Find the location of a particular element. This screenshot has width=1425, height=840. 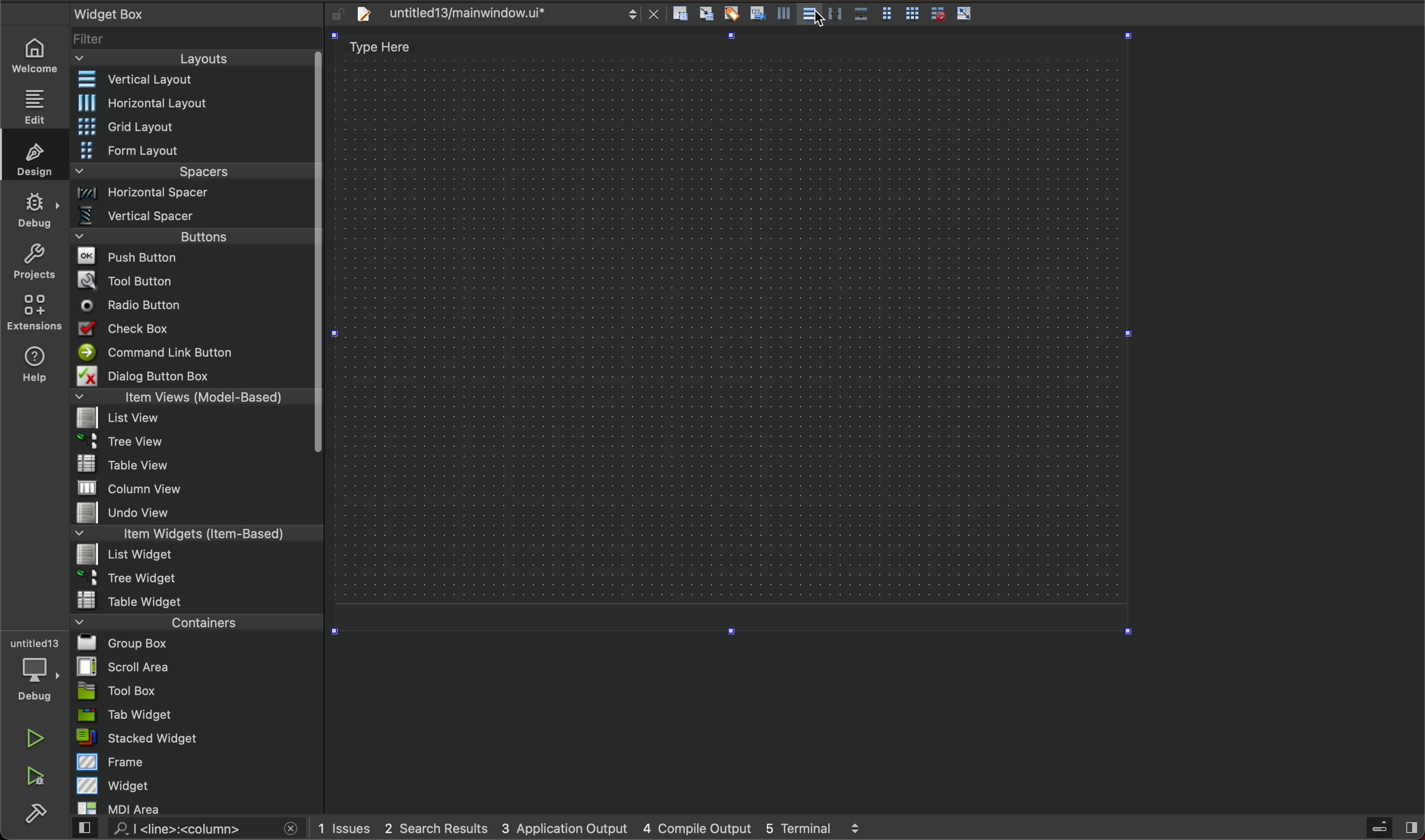

debug and run is located at coordinates (37, 775).